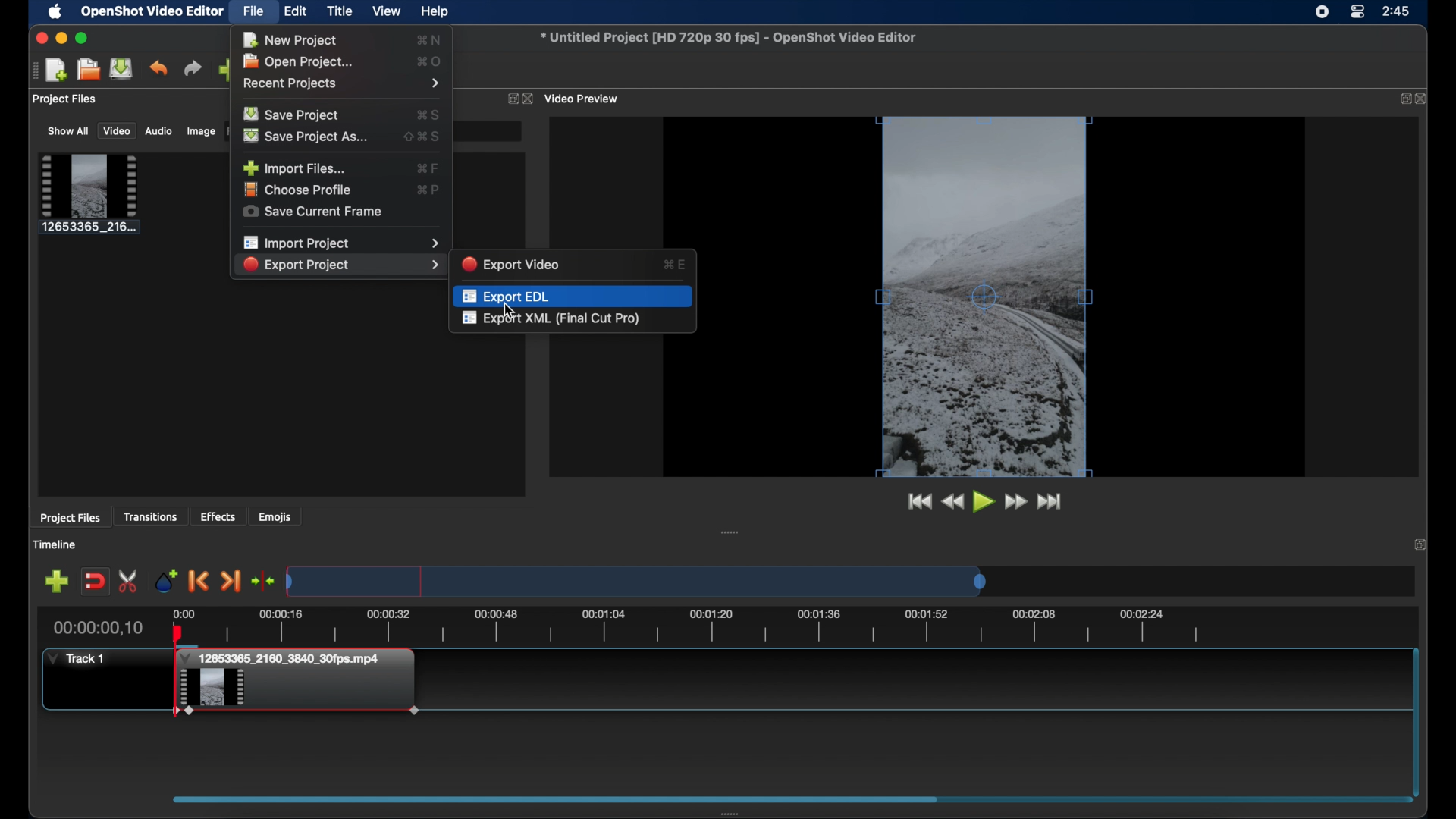 Image resolution: width=1456 pixels, height=819 pixels. Describe the element at coordinates (300, 190) in the screenshot. I see `choose profile` at that location.